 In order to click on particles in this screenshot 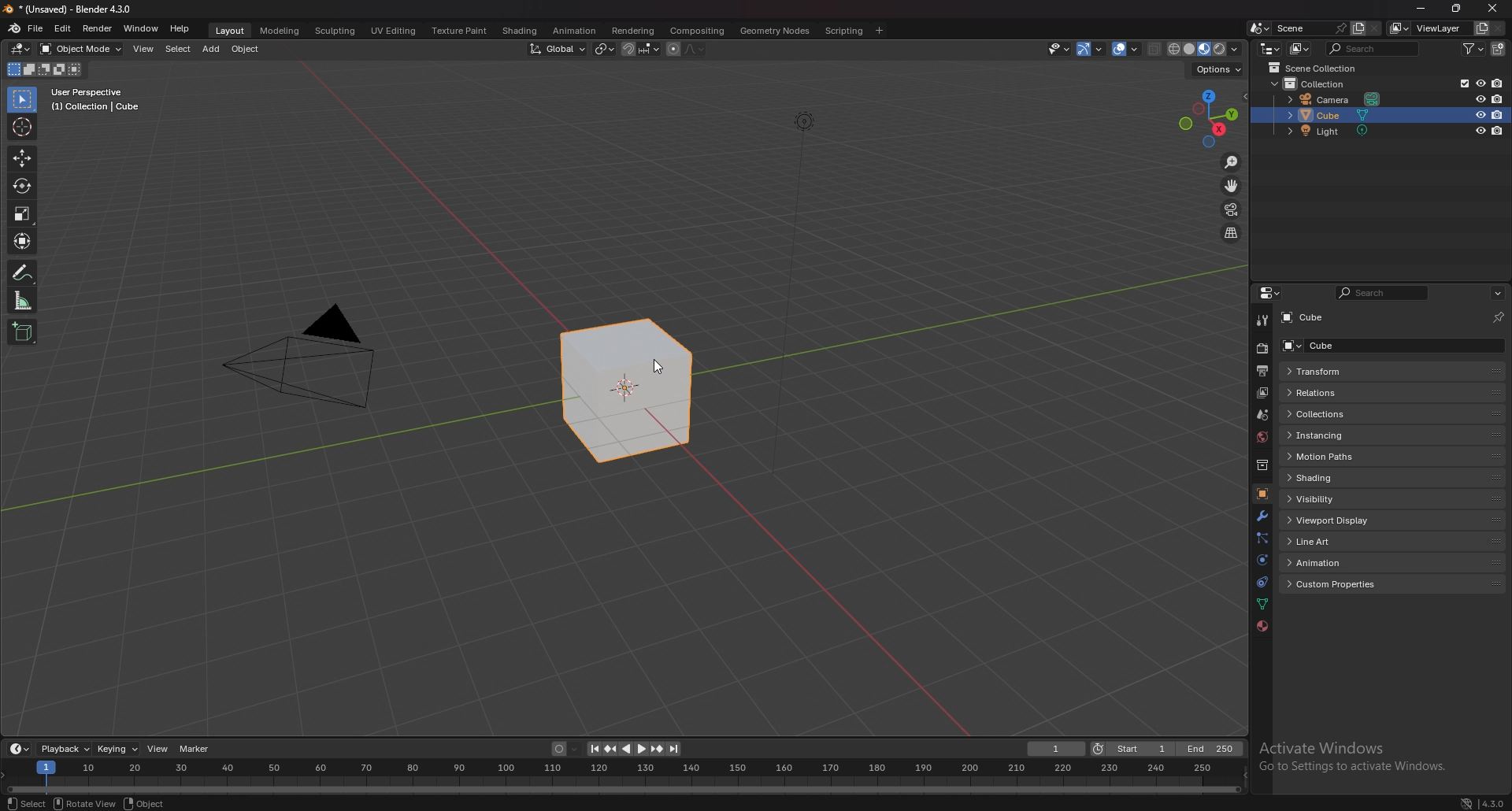, I will do `click(1259, 537)`.